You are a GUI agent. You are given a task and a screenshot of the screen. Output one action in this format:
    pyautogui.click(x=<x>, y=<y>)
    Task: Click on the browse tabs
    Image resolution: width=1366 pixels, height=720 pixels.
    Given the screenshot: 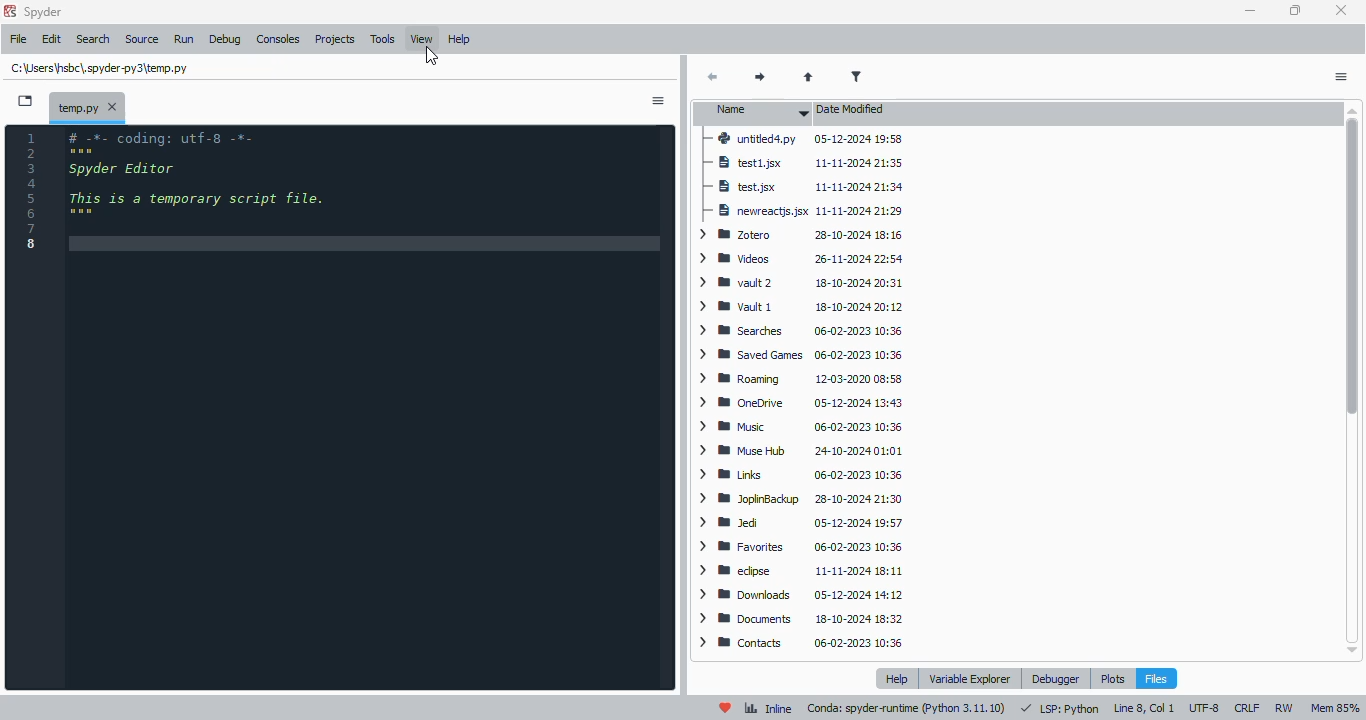 What is the action you would take?
    pyautogui.click(x=26, y=101)
    